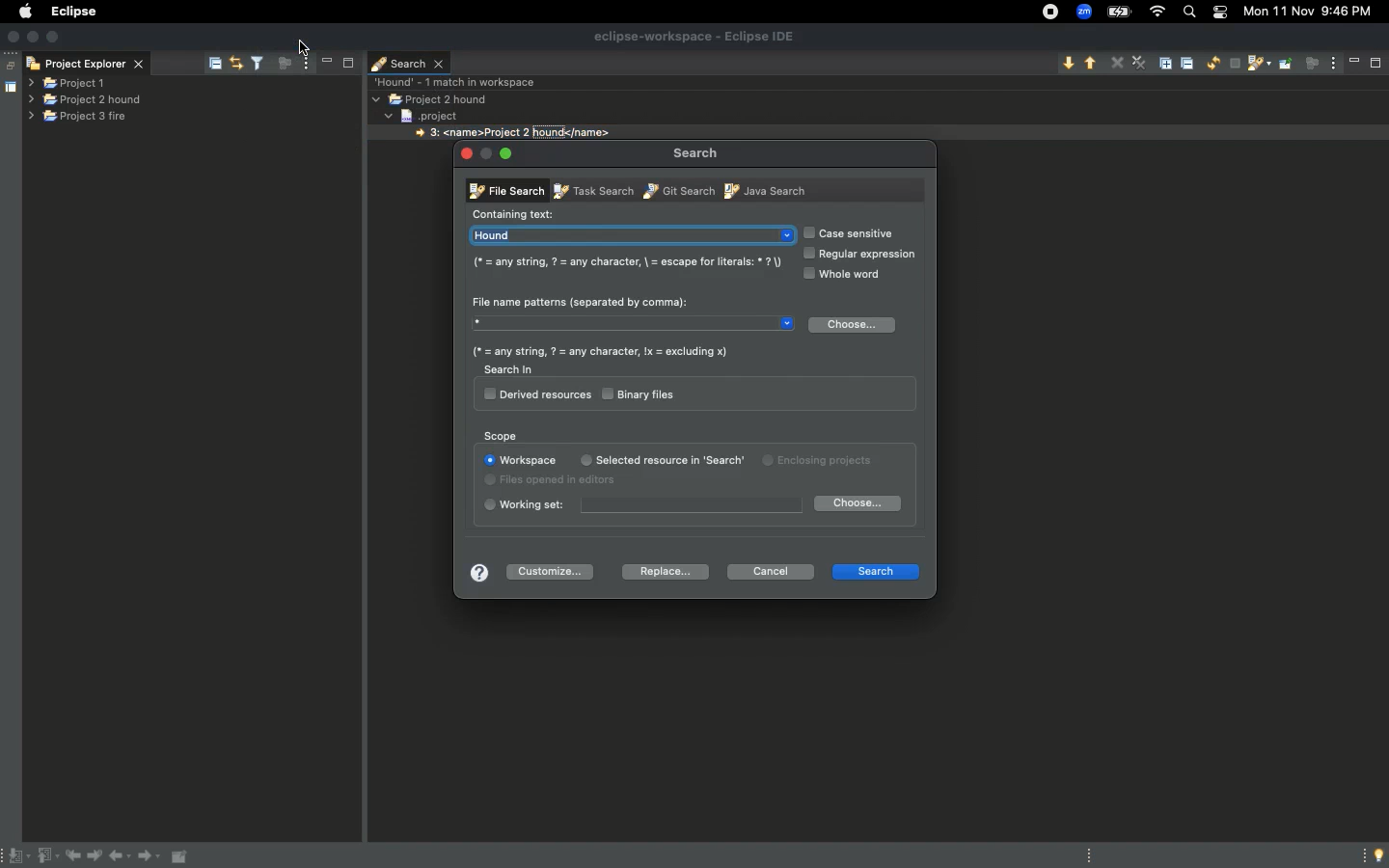  Describe the element at coordinates (55, 38) in the screenshot. I see `maximise` at that location.